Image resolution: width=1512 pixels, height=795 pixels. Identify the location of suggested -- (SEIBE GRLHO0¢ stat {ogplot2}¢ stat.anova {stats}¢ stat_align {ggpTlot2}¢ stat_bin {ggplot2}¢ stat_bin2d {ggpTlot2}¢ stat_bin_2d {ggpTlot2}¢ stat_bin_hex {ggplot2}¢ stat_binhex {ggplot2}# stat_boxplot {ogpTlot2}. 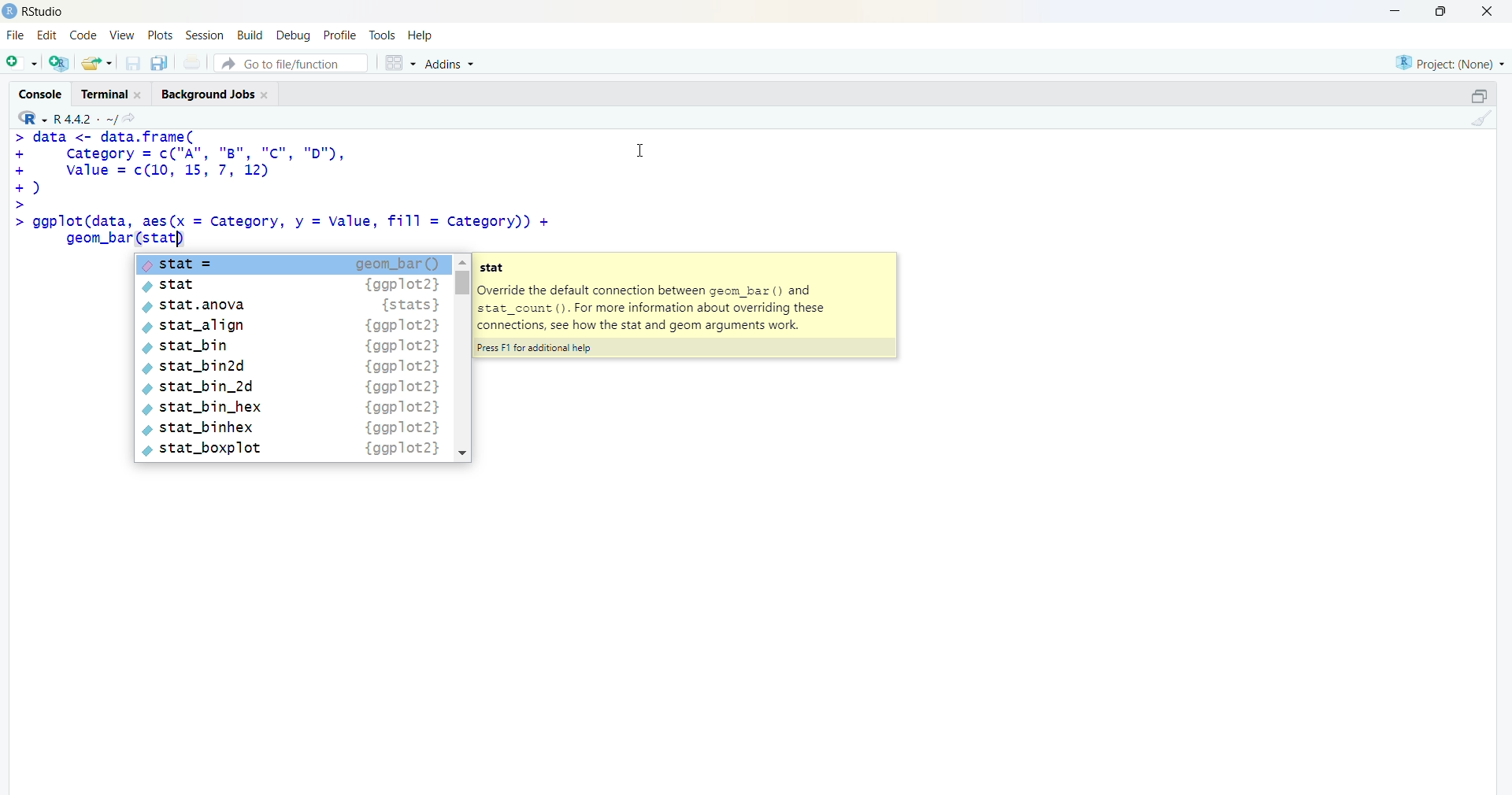
(301, 358).